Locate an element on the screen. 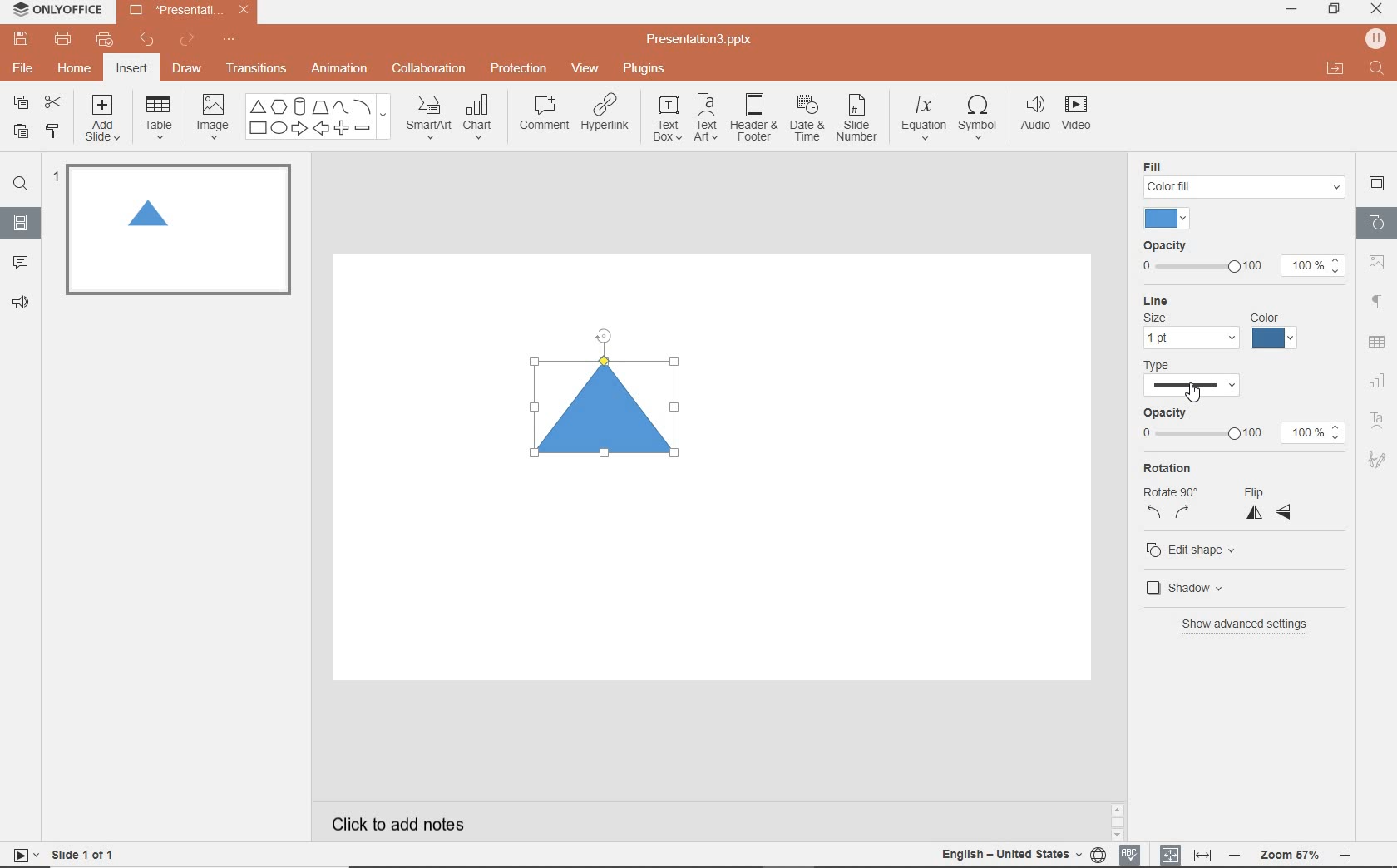 The width and height of the screenshot is (1397, 868). FILE NAME is located at coordinates (702, 40).